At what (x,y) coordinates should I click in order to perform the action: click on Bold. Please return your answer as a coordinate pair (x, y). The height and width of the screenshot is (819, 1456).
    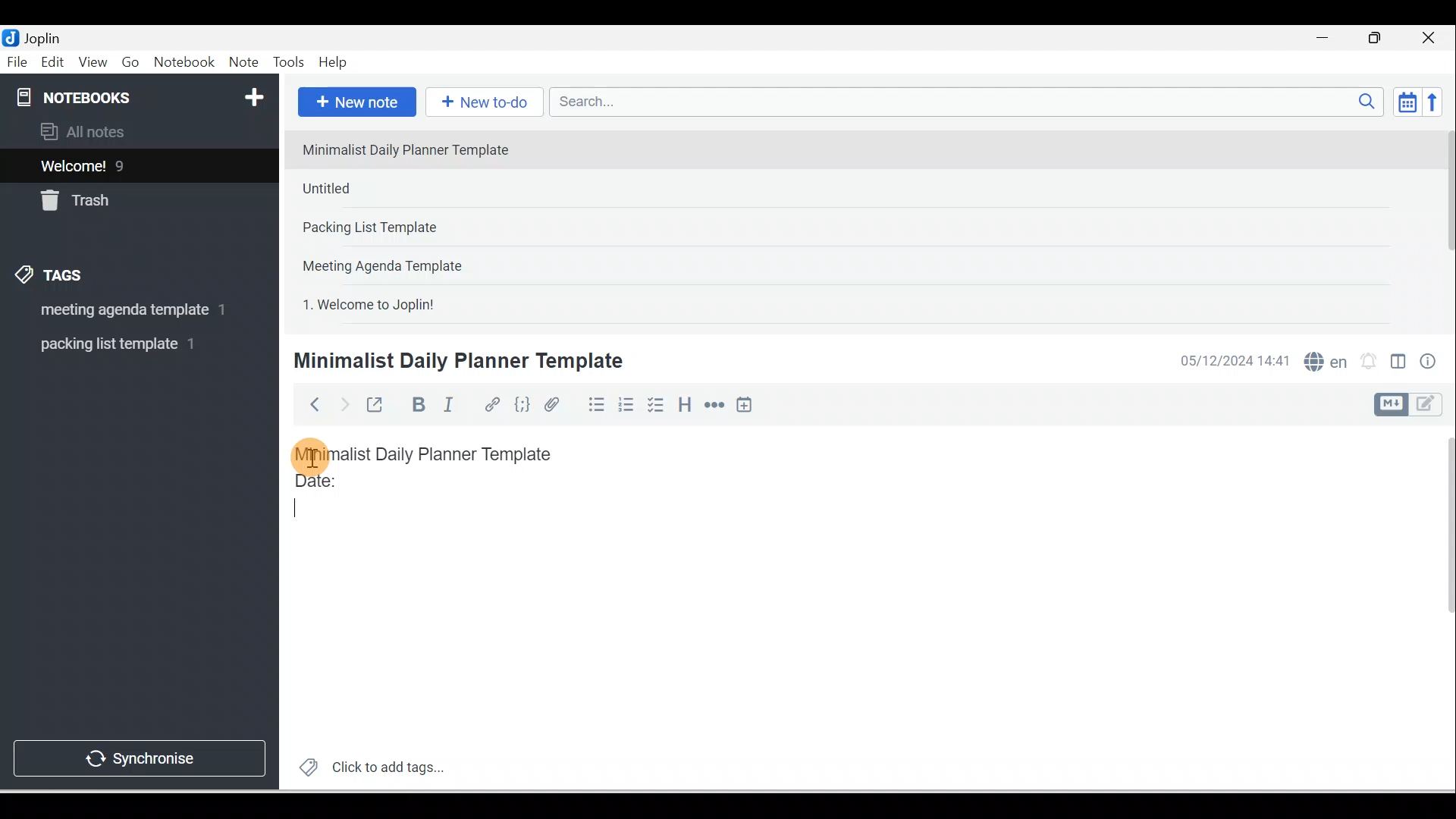
    Looking at the image, I should click on (416, 405).